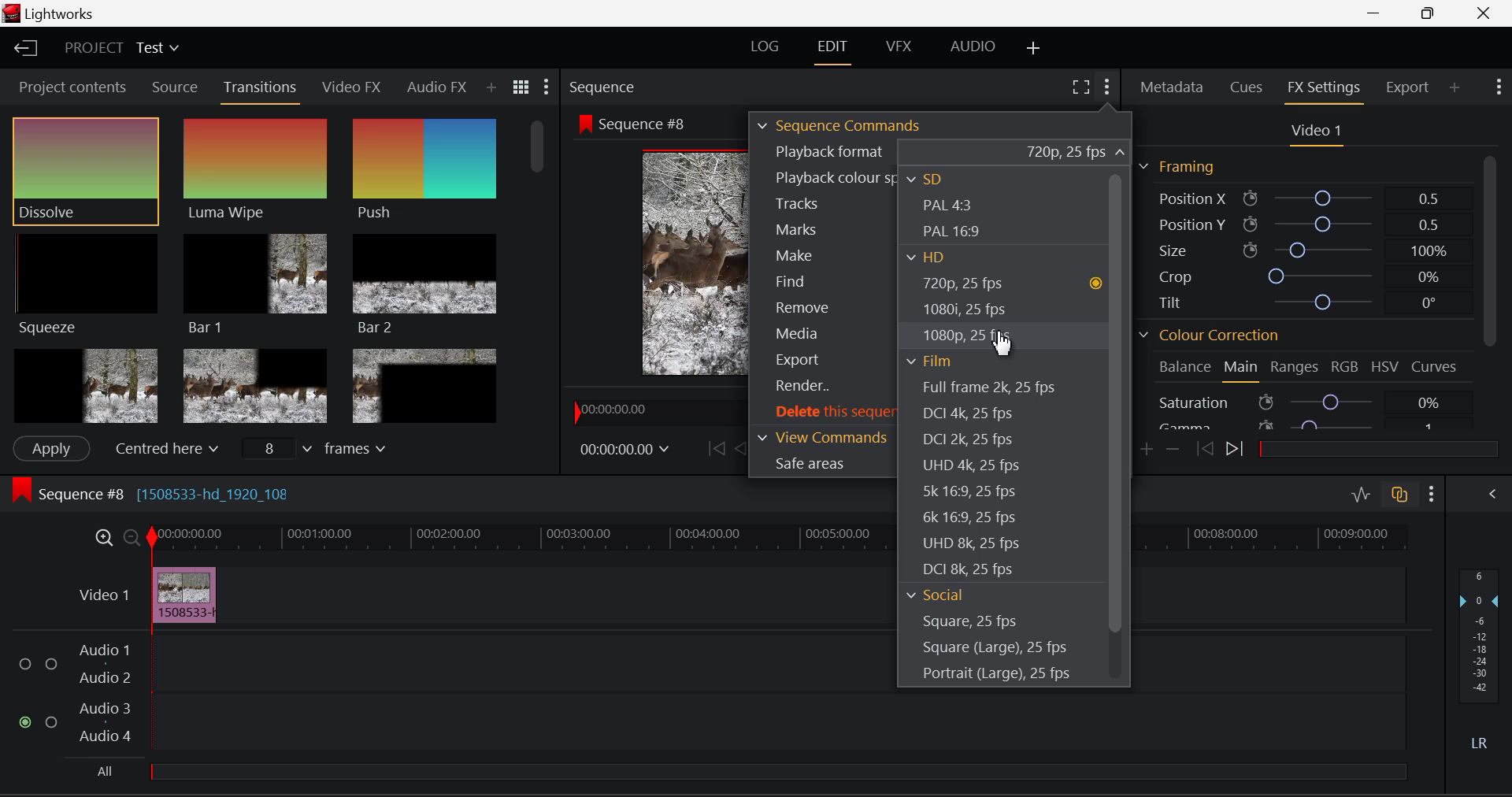 Image resolution: width=1512 pixels, height=797 pixels. What do you see at coordinates (1145, 450) in the screenshot?
I see `Add keyframe` at bounding box center [1145, 450].